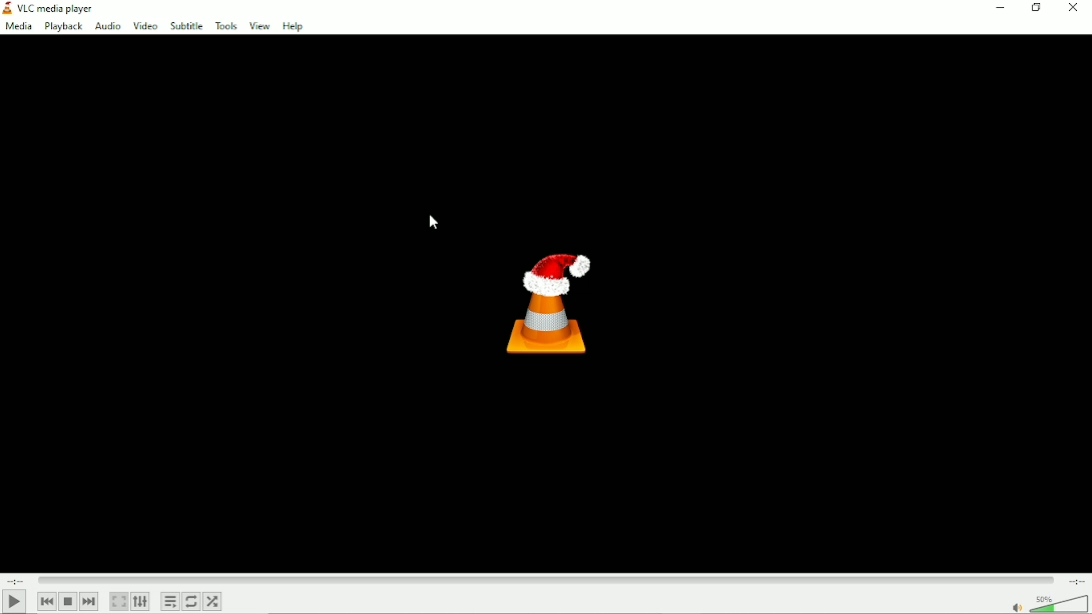  I want to click on Audio, so click(107, 27).